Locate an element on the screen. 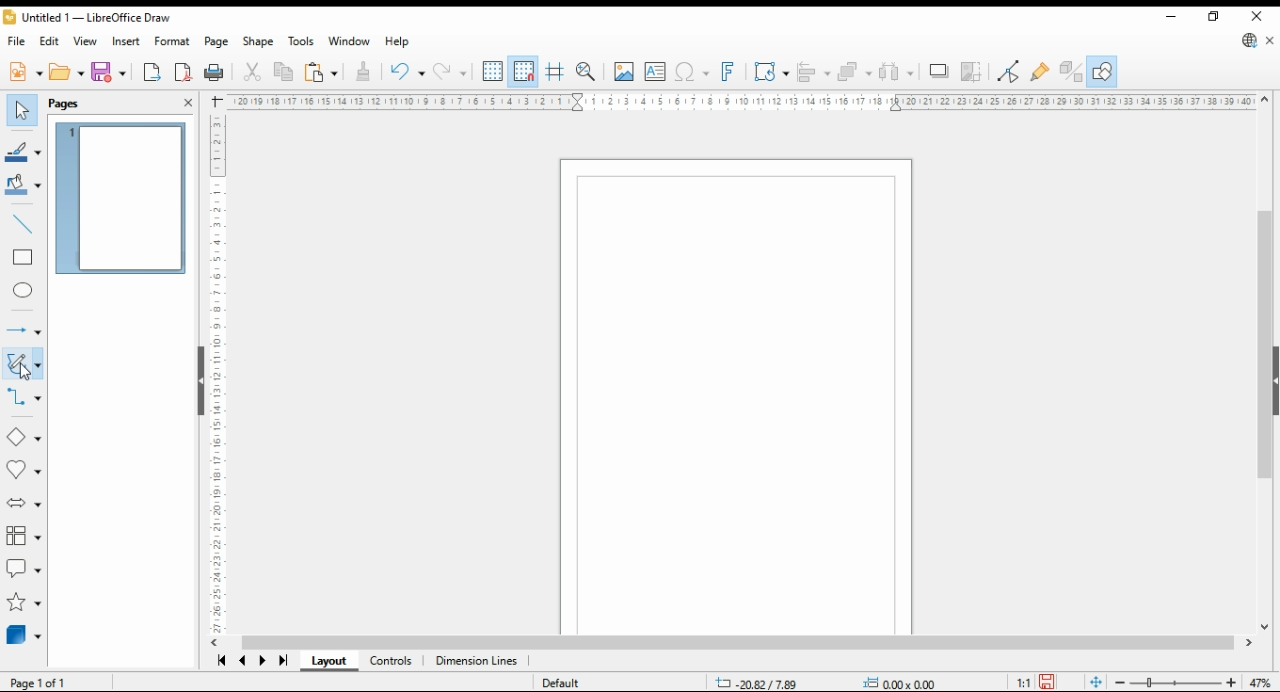 The width and height of the screenshot is (1280, 692). close pane is located at coordinates (190, 101).